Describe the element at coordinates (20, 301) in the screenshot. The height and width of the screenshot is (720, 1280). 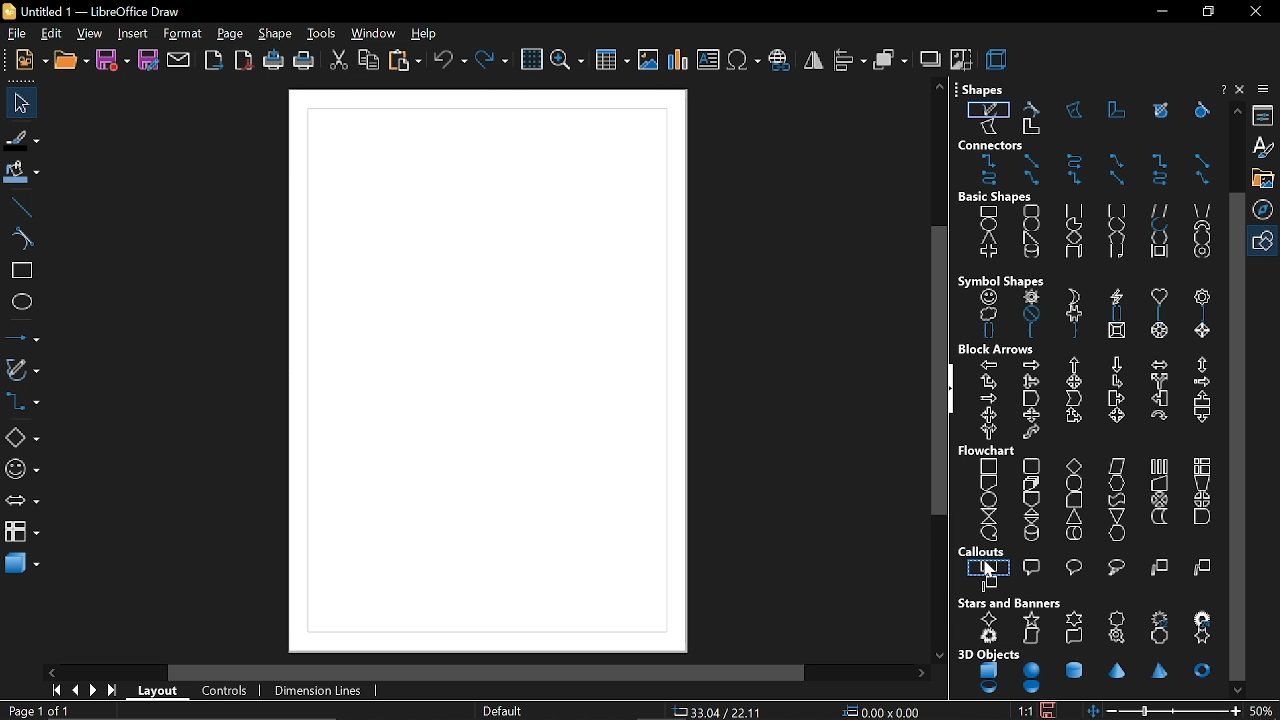
I see `ellipse` at that location.